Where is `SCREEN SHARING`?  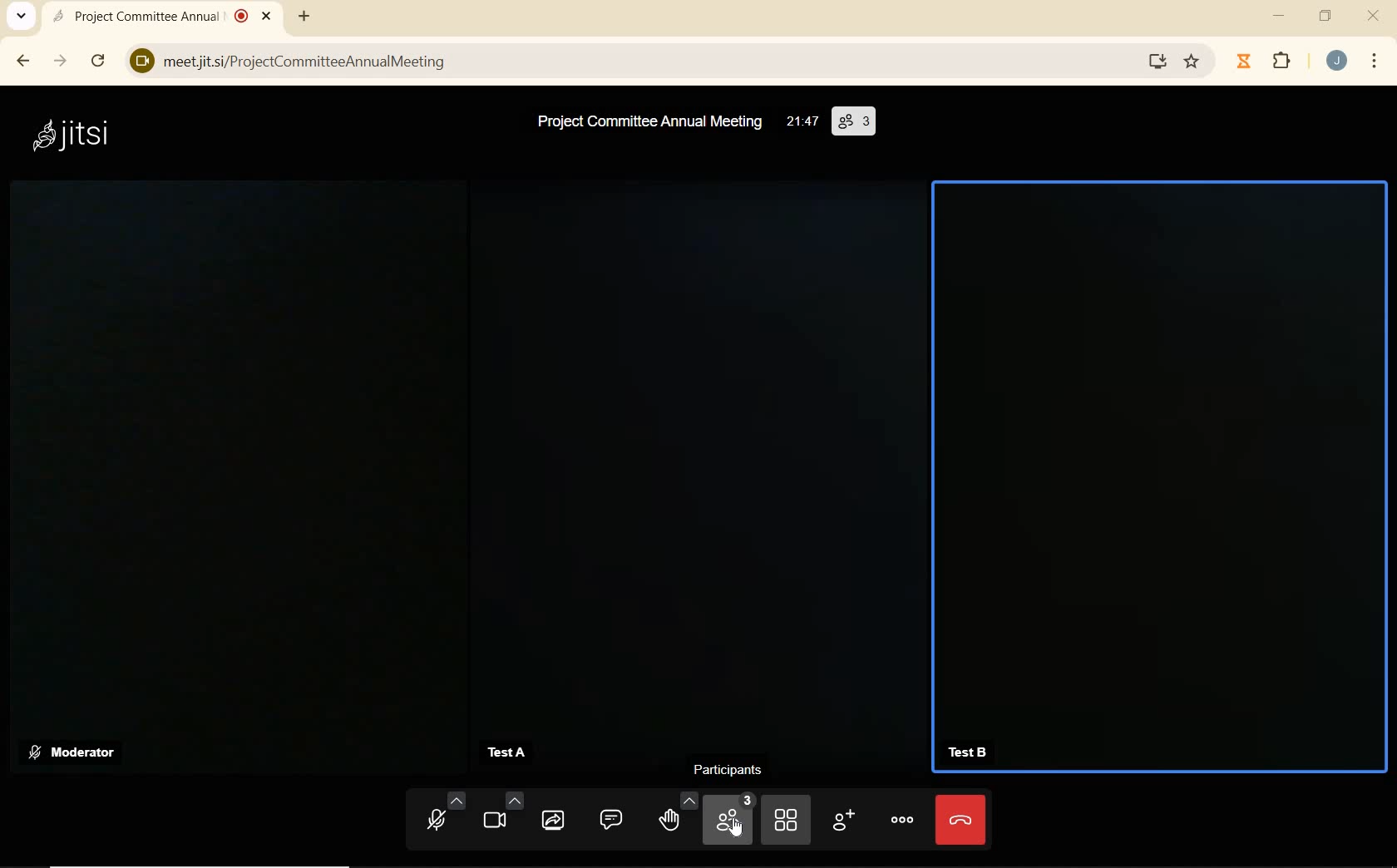 SCREEN SHARING is located at coordinates (554, 816).